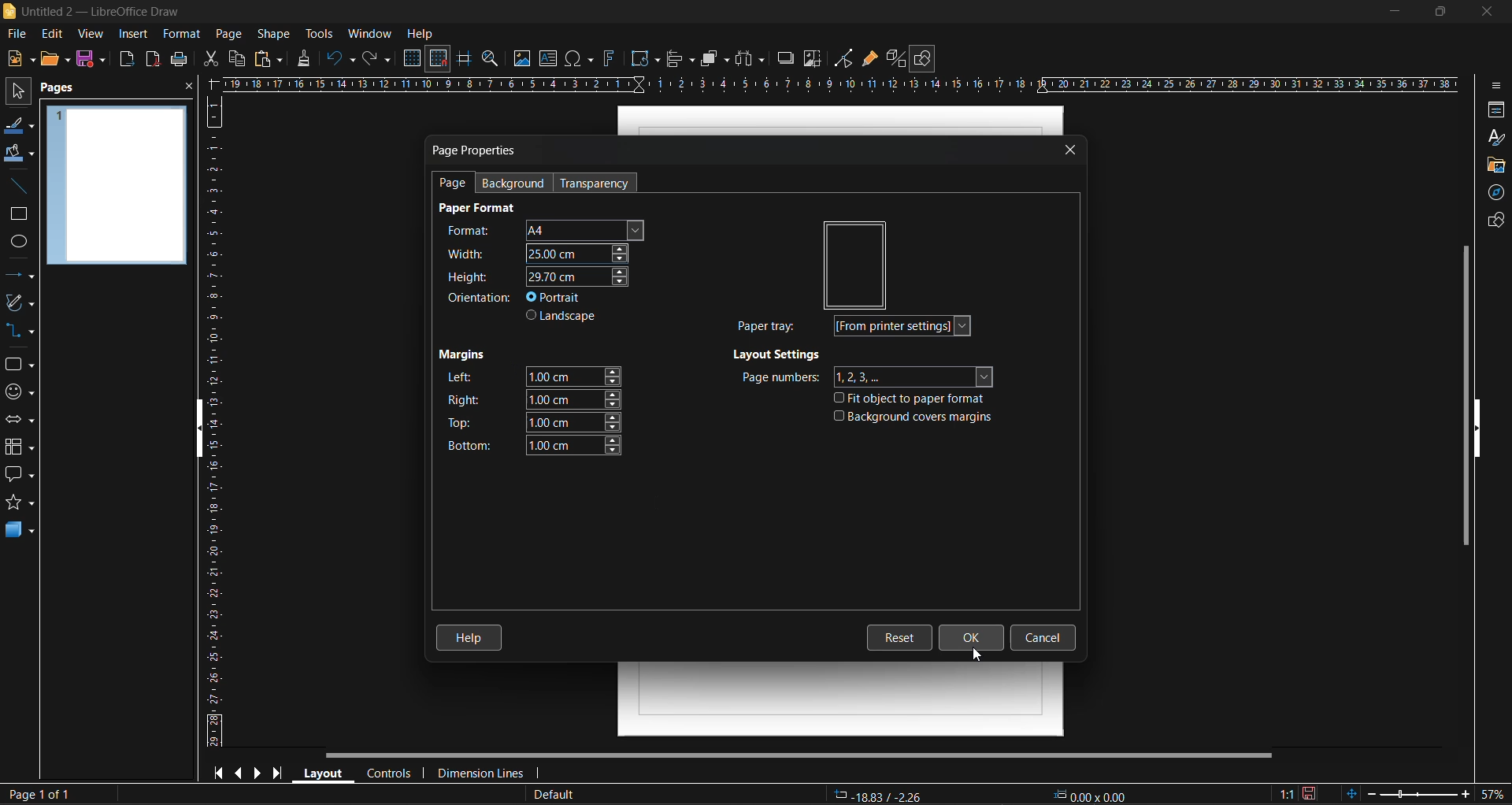 This screenshot has width=1512, height=805. I want to click on bottom, so click(529, 444).